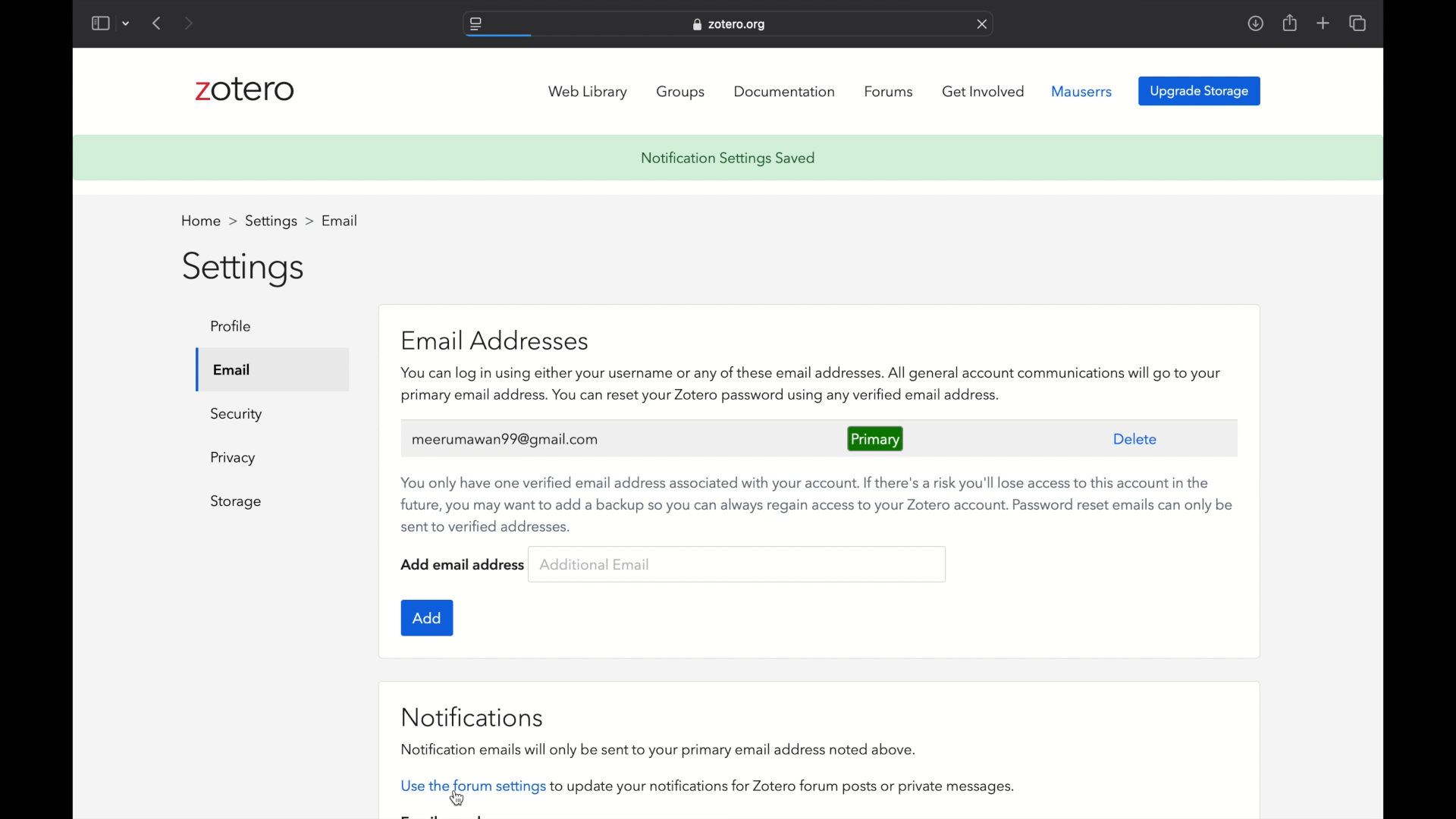 This screenshot has height=819, width=1456. I want to click on security, so click(236, 414).